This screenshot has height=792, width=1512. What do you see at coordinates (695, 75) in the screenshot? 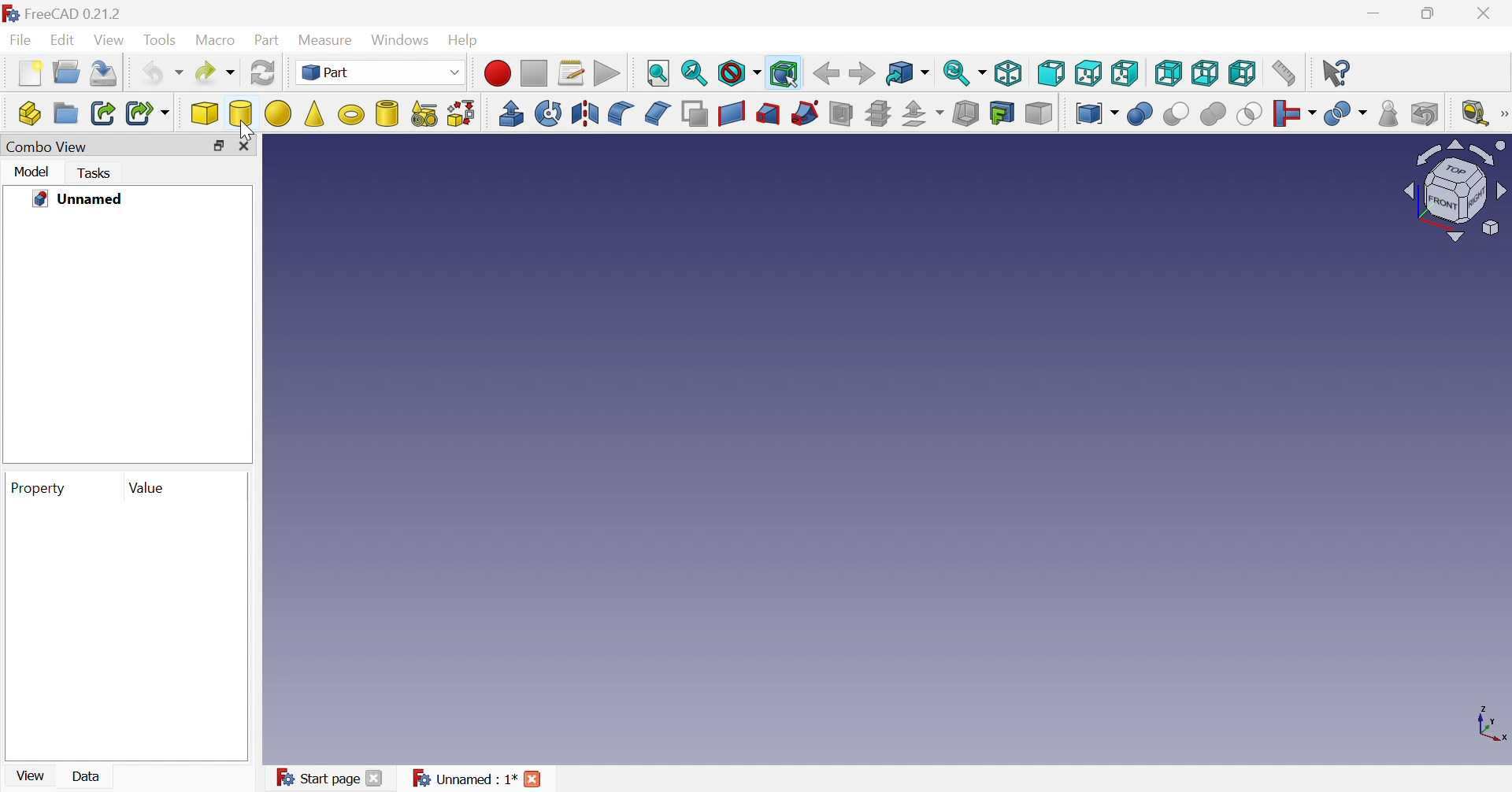
I see `Fit selection` at bounding box center [695, 75].